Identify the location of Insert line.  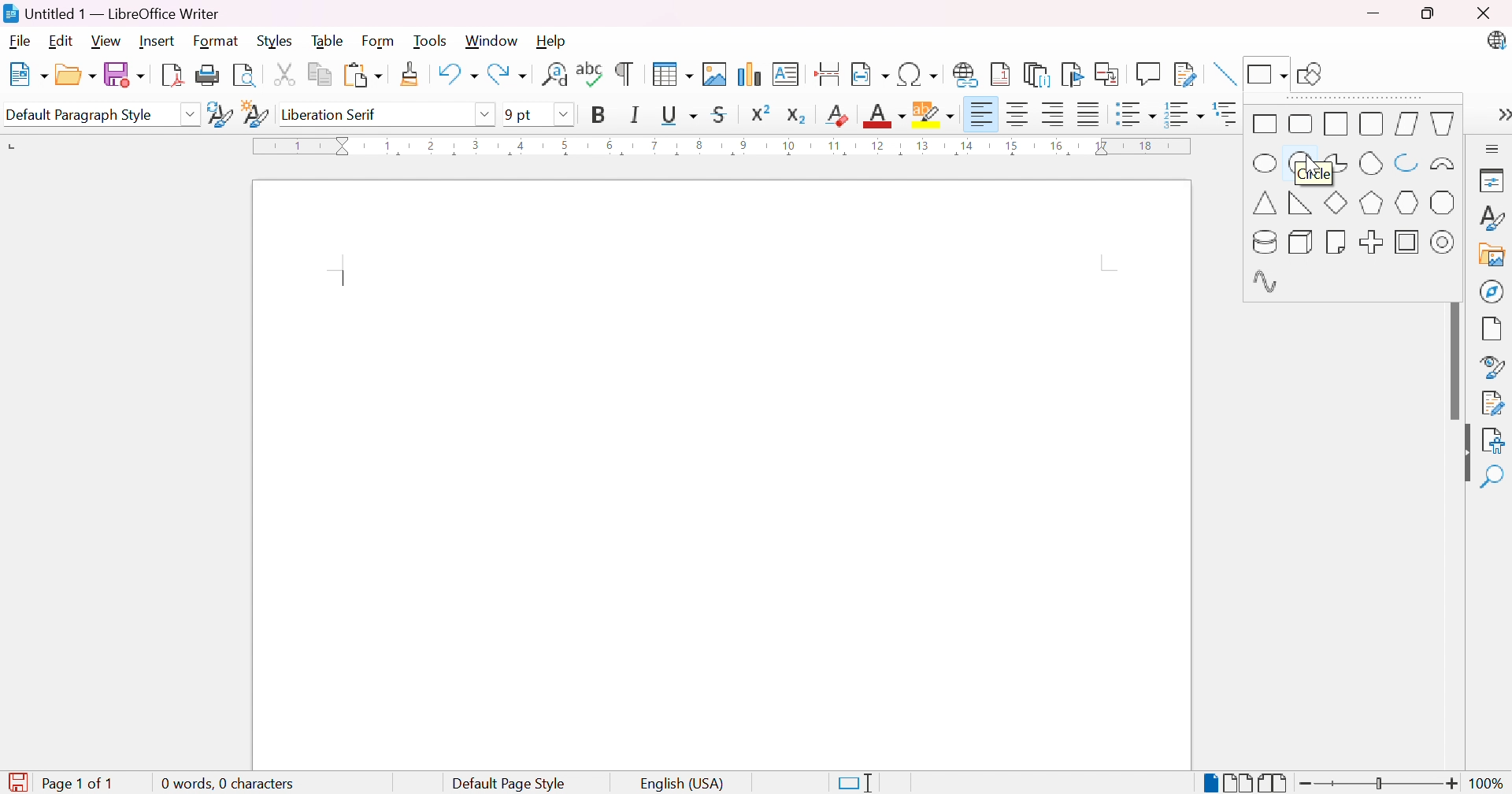
(1226, 74).